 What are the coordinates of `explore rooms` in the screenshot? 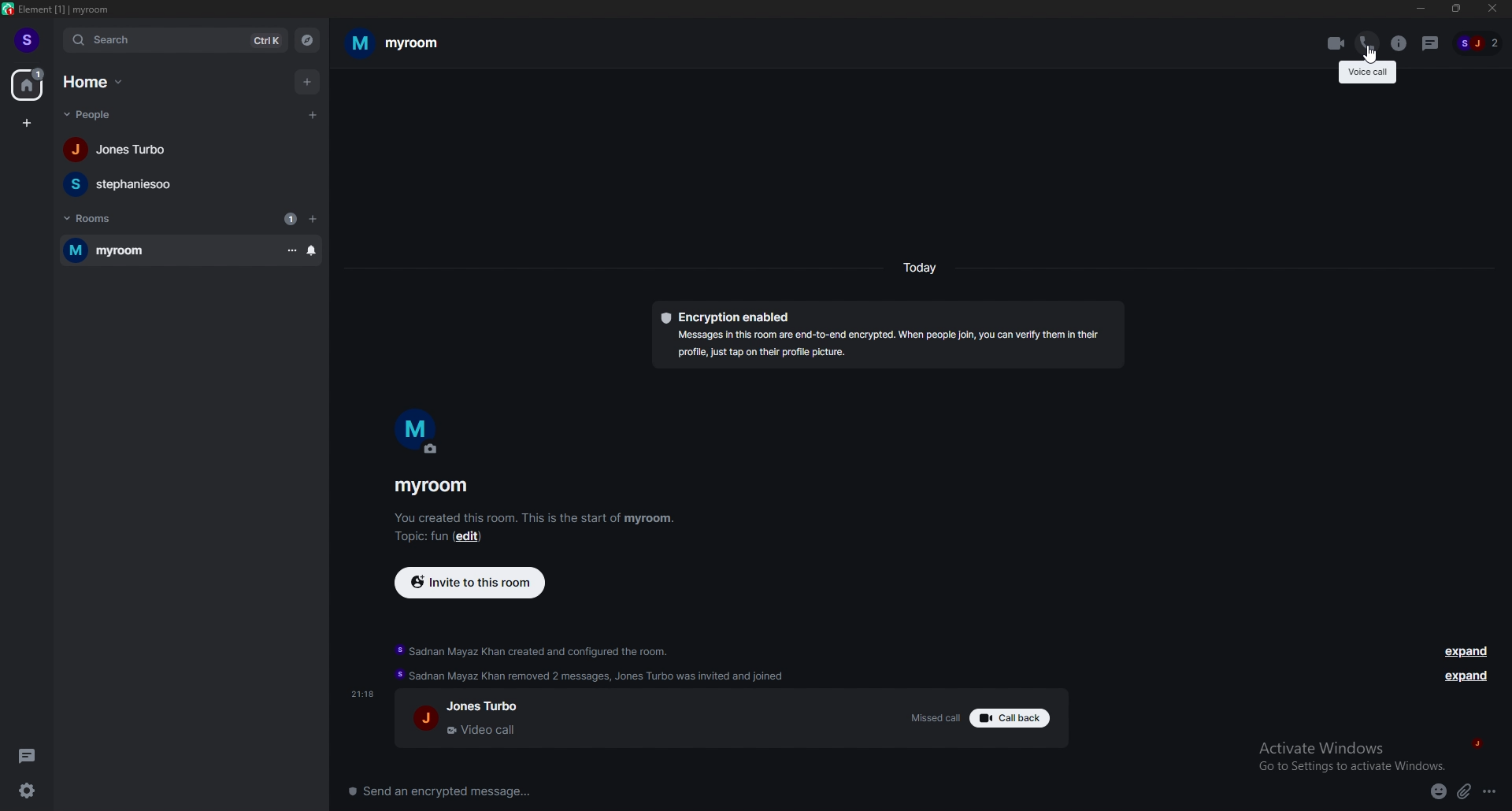 It's located at (307, 41).